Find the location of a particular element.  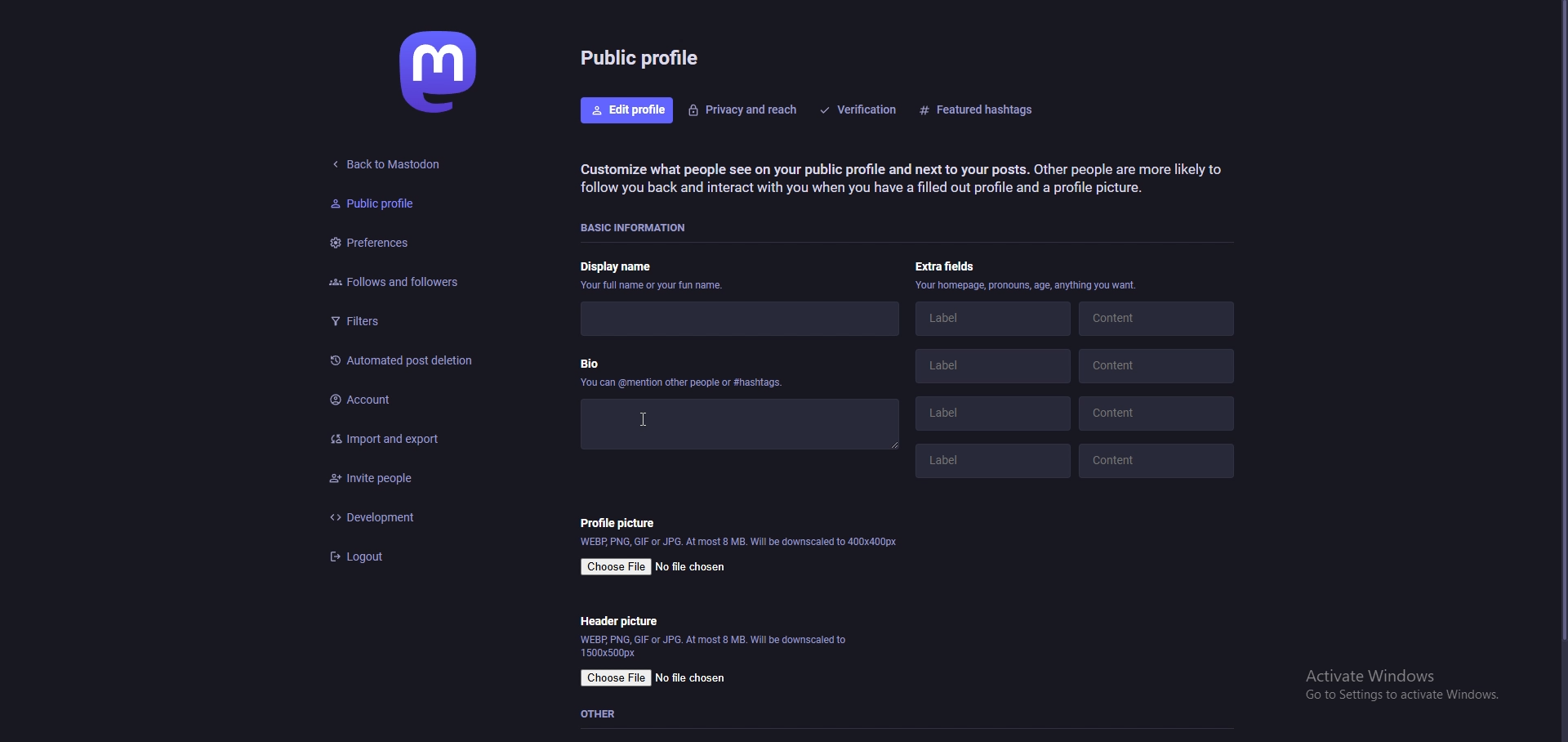

info is located at coordinates (1029, 284).